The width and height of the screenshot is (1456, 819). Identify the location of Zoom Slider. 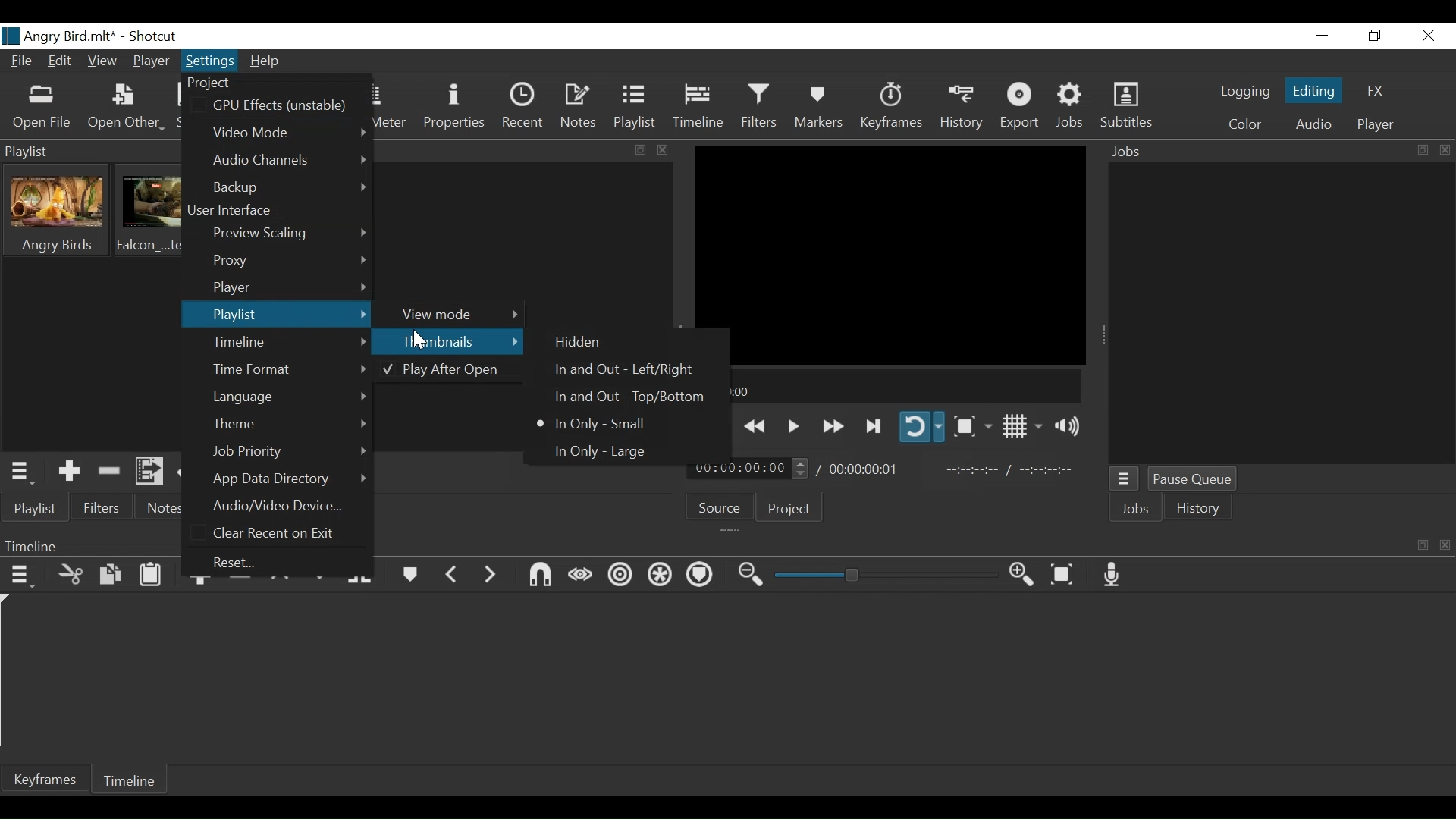
(885, 575).